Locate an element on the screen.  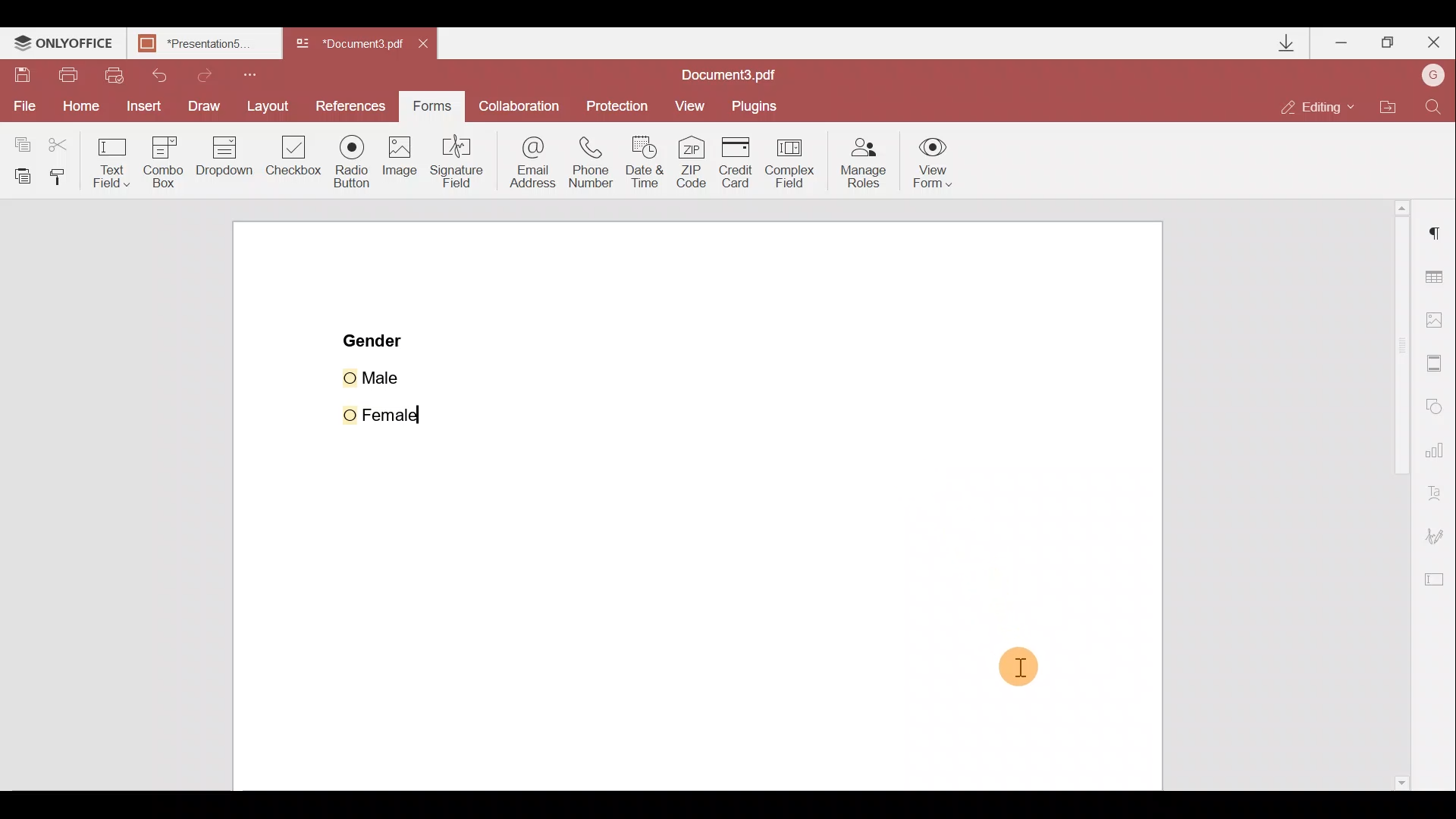
References is located at coordinates (352, 105).